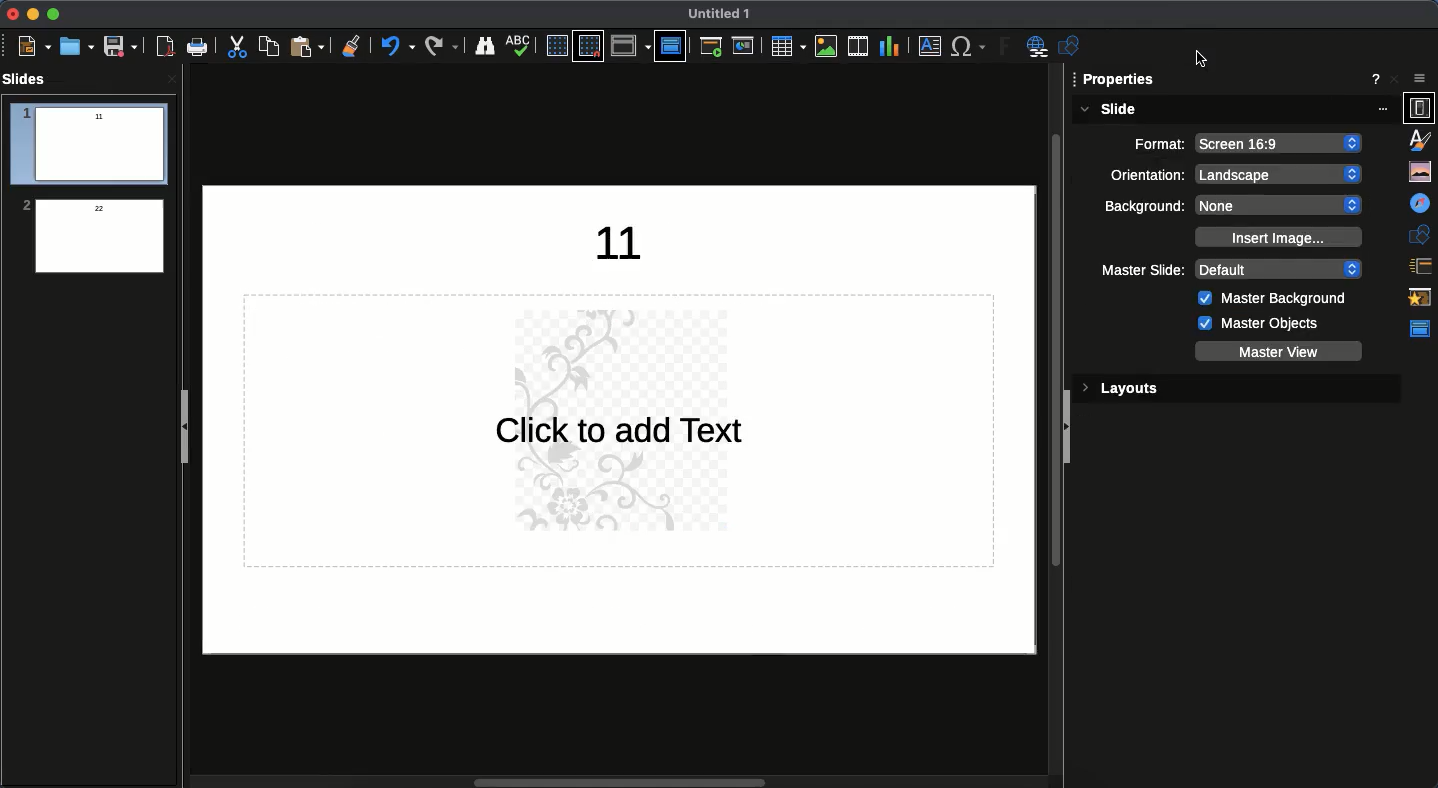 The width and height of the screenshot is (1438, 788). Describe the element at coordinates (1424, 78) in the screenshot. I see `Sidebar settings` at that location.